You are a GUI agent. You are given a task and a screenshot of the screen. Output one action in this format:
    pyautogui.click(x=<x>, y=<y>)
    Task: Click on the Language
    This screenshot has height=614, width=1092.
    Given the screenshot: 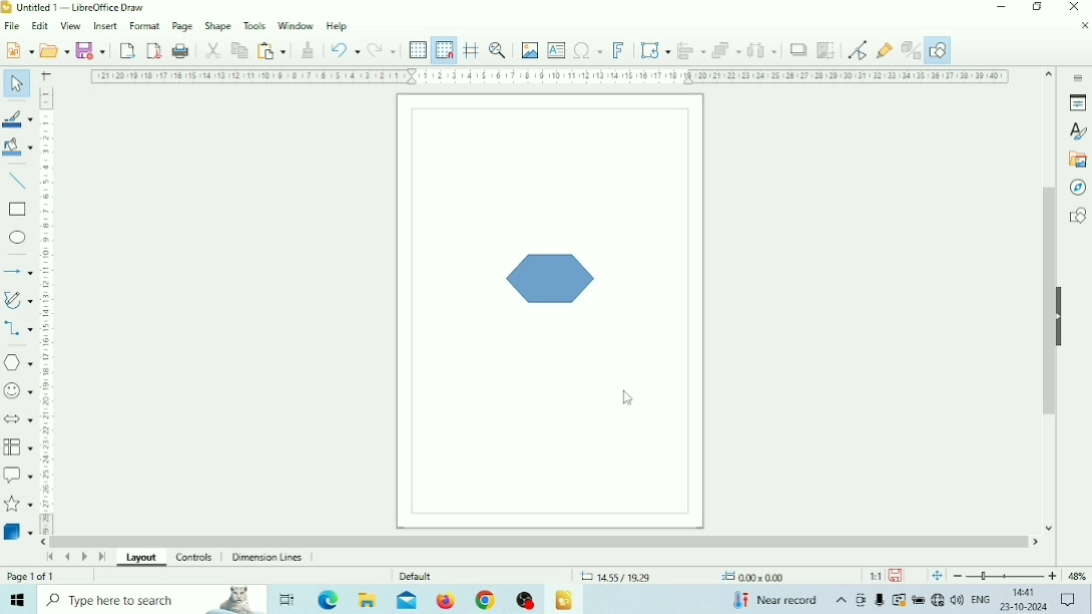 What is the action you would take?
    pyautogui.click(x=982, y=600)
    